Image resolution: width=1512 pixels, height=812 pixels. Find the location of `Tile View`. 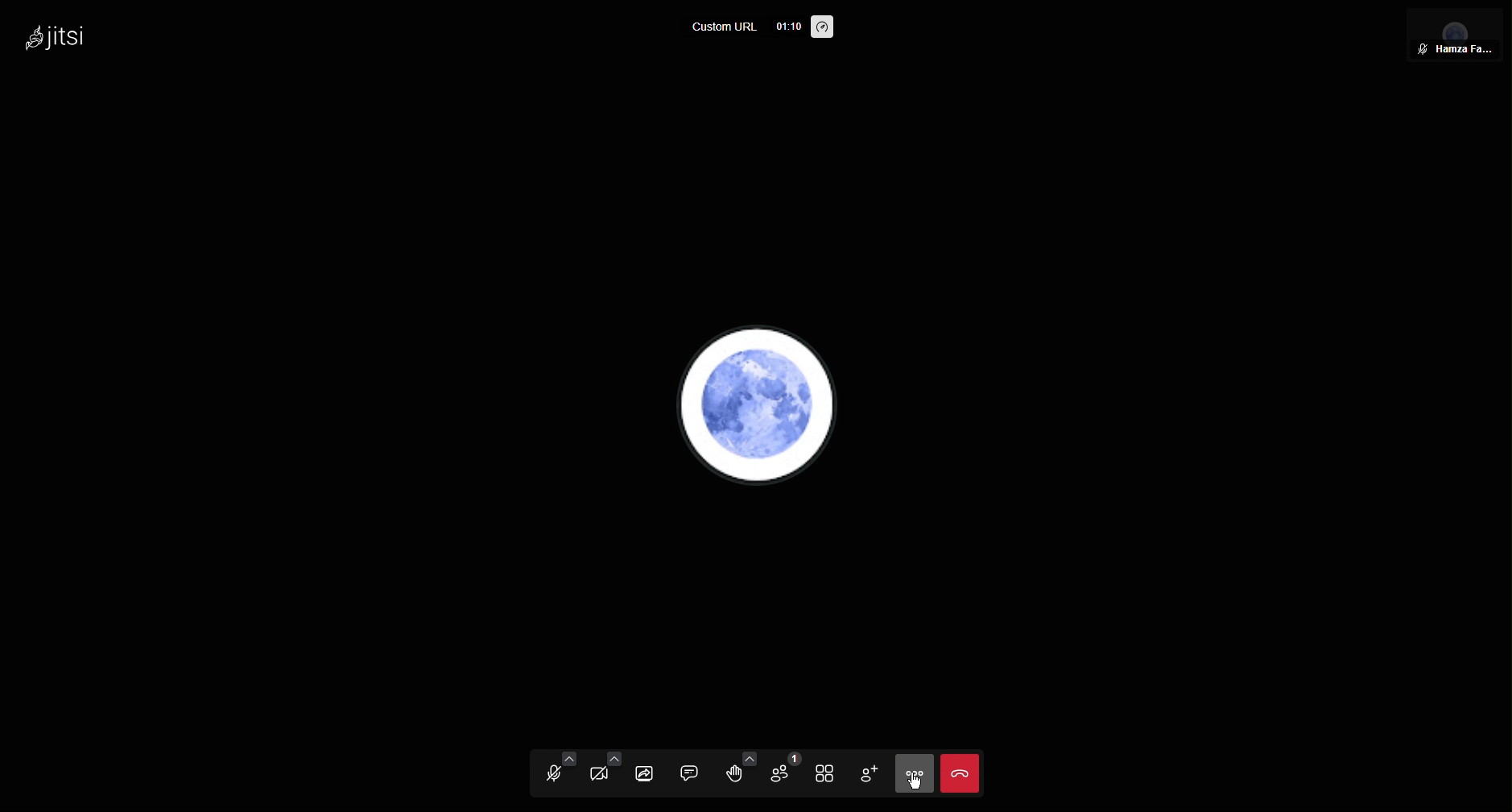

Tile View is located at coordinates (828, 774).